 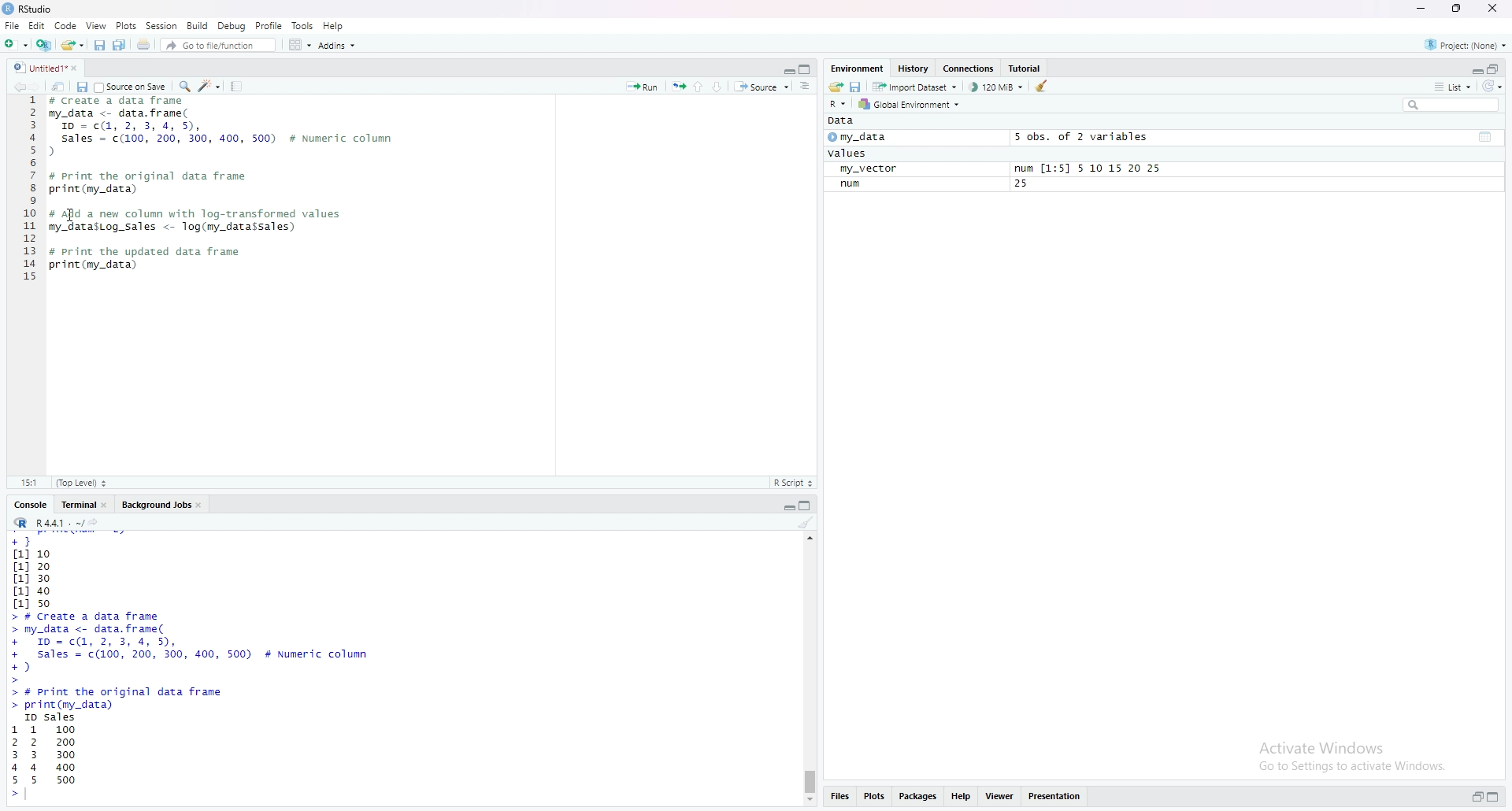 What do you see at coordinates (1424, 10) in the screenshot?
I see `minimize` at bounding box center [1424, 10].